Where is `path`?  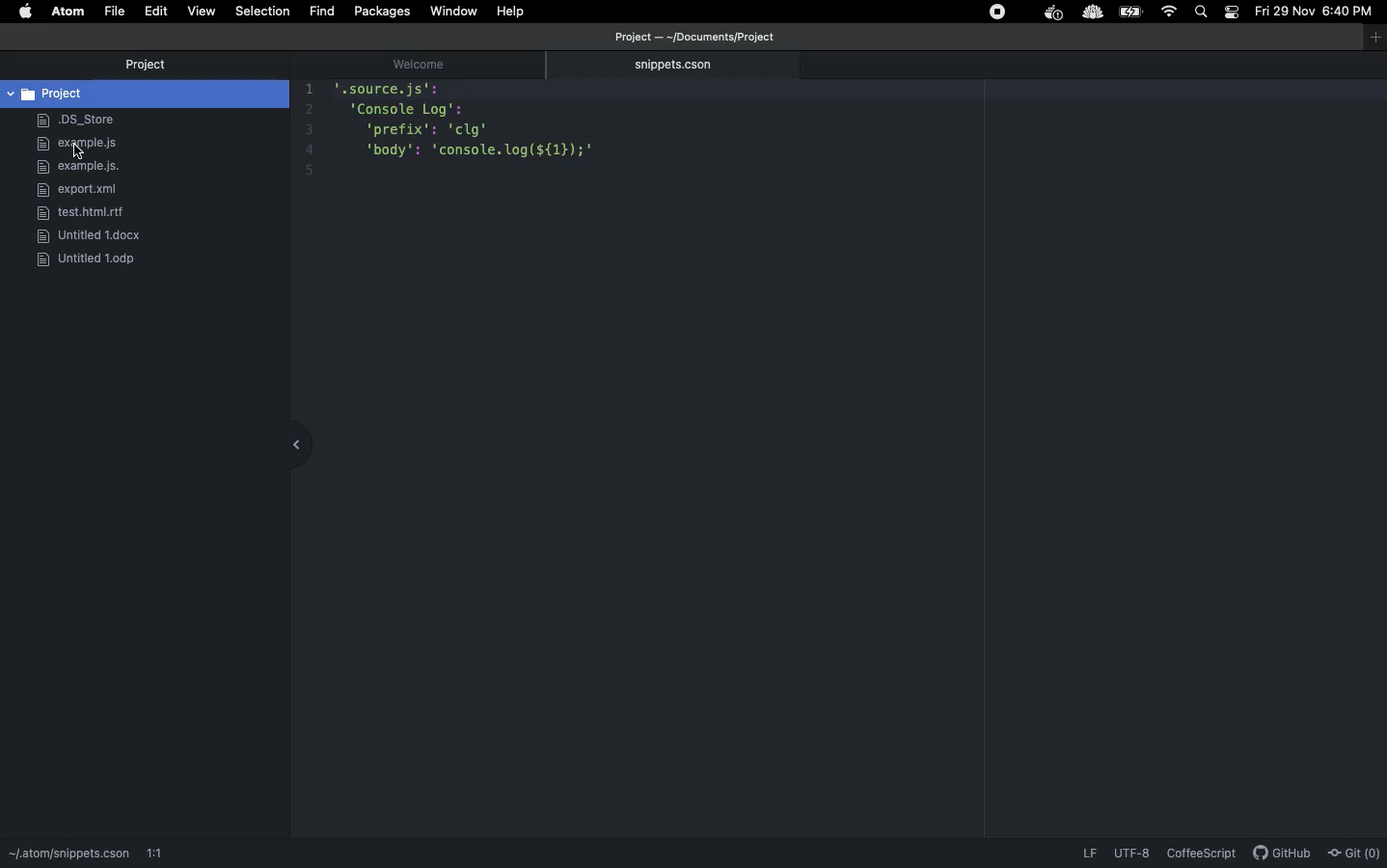
path is located at coordinates (68, 854).